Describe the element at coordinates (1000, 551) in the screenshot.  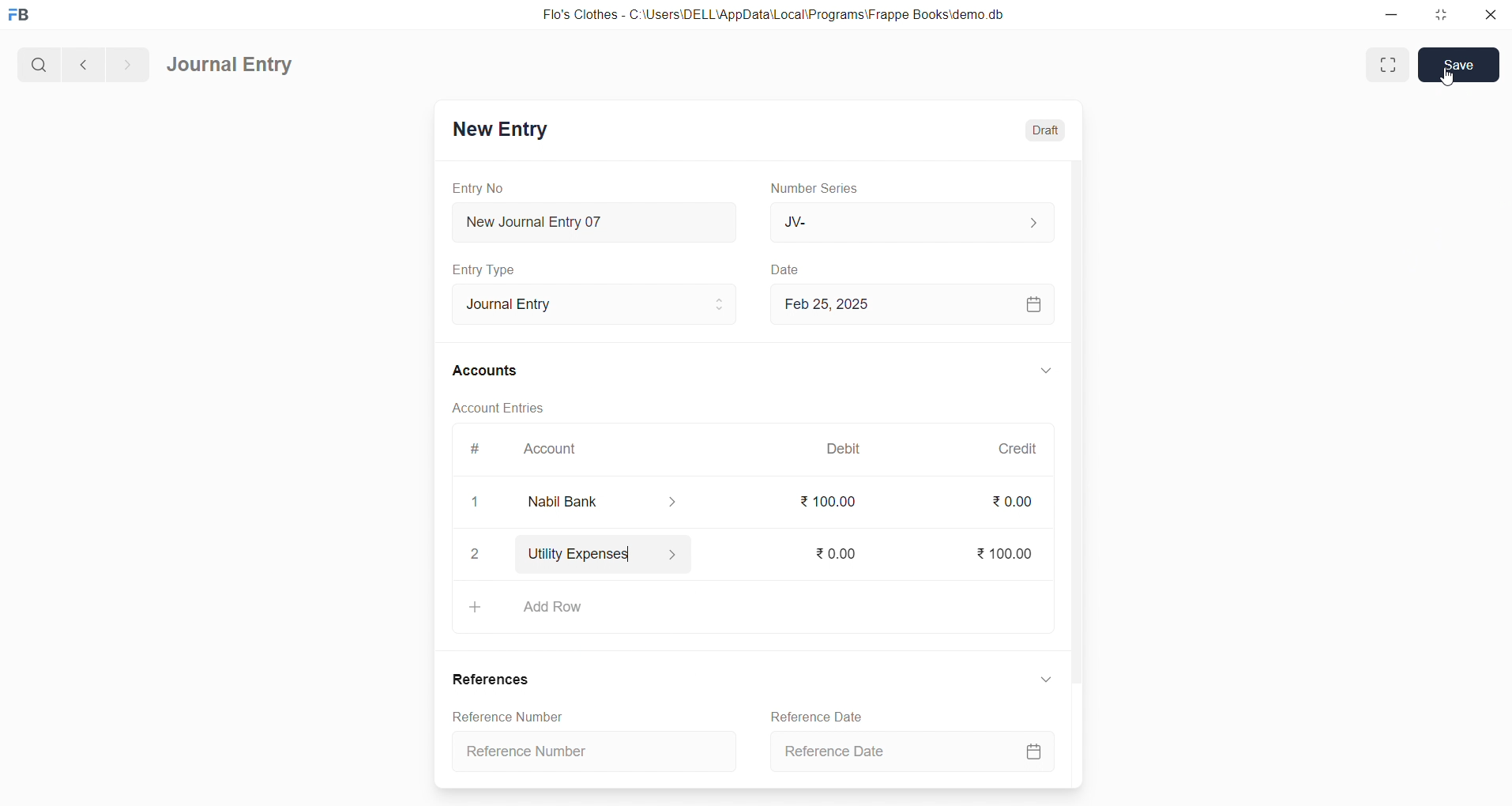
I see `₹ 100.00` at that location.